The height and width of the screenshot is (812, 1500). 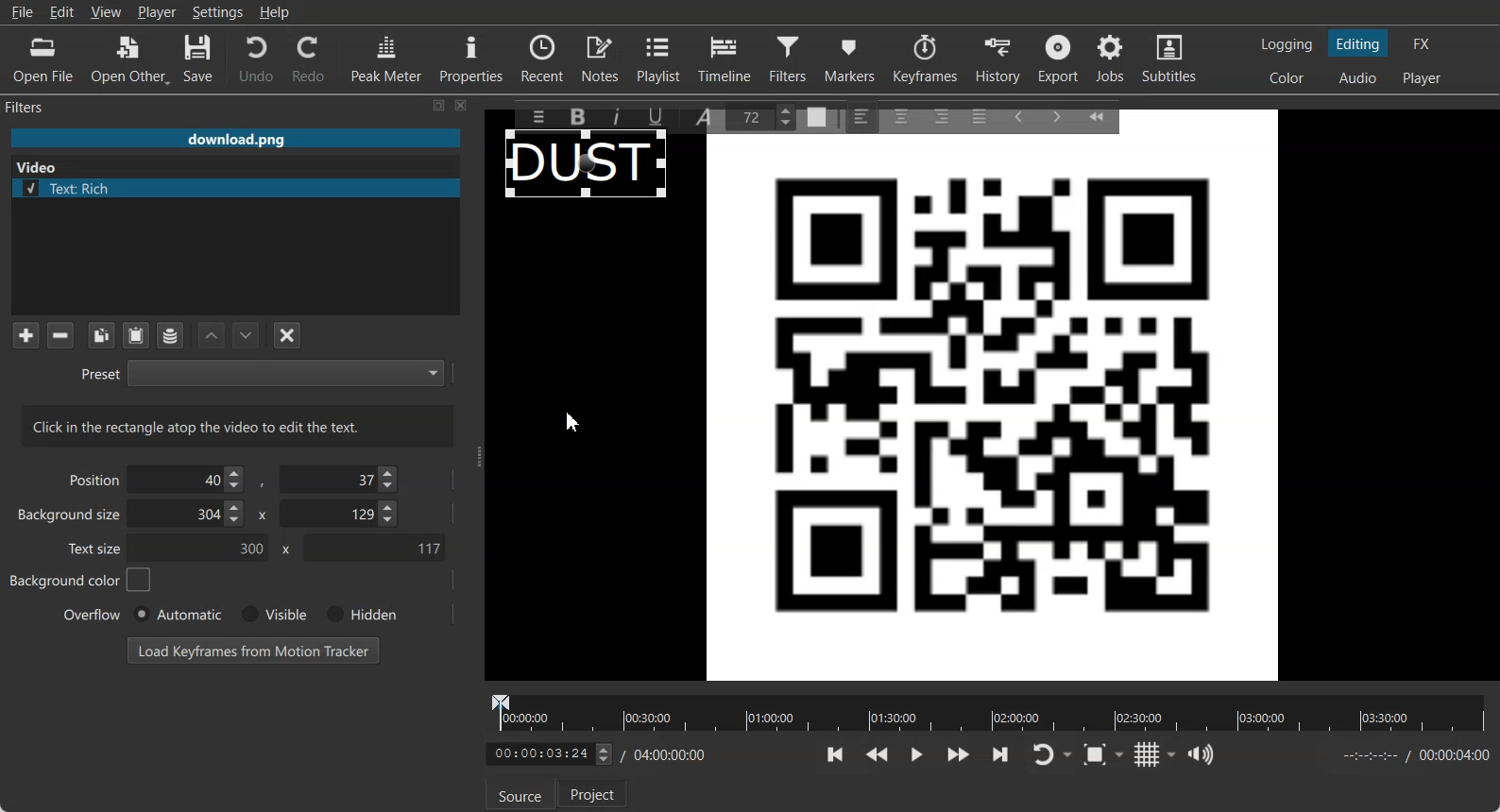 I want to click on Play Quickly Forward, so click(x=959, y=754).